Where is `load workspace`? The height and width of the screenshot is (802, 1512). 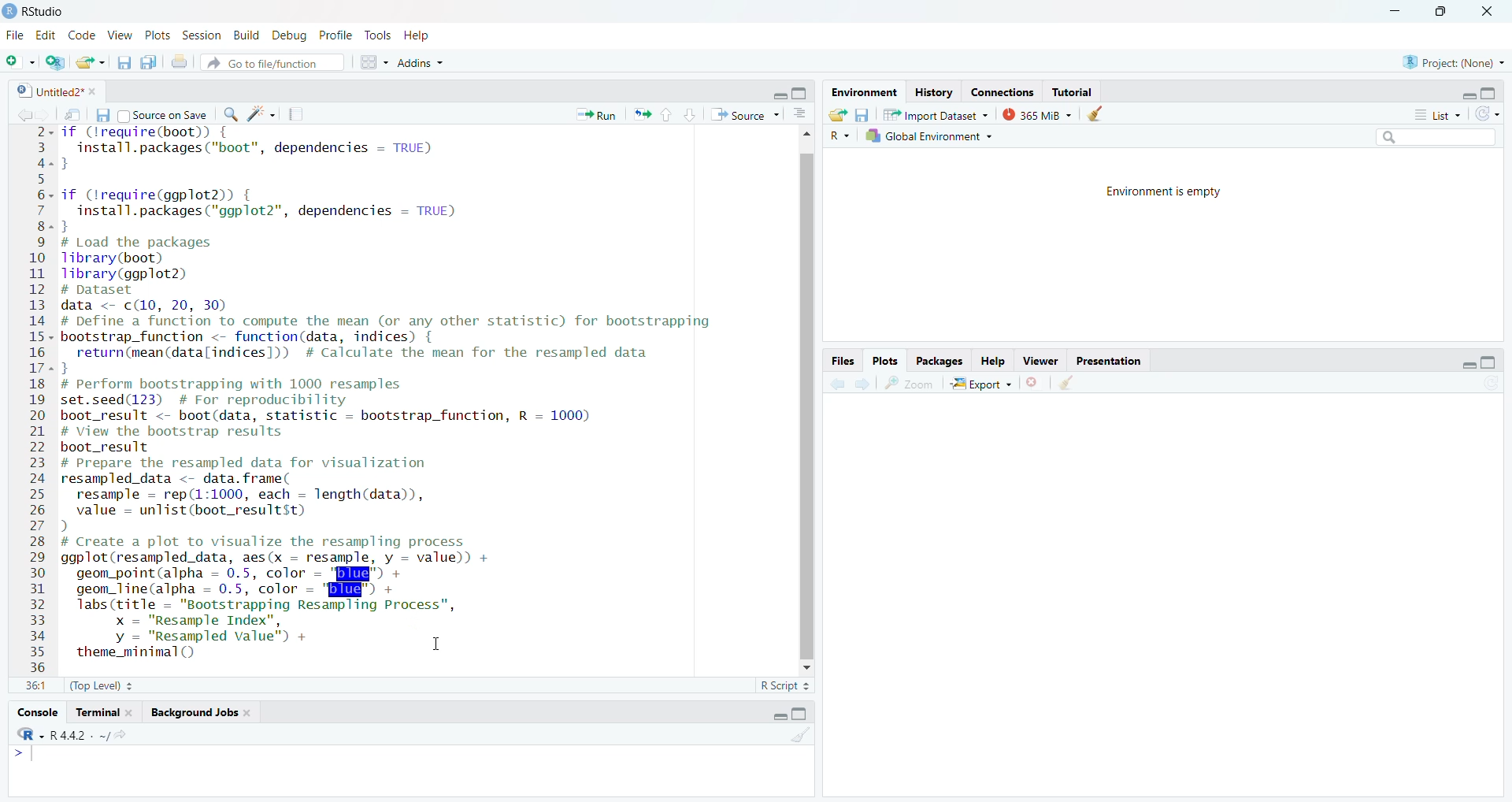
load workspace is located at coordinates (839, 115).